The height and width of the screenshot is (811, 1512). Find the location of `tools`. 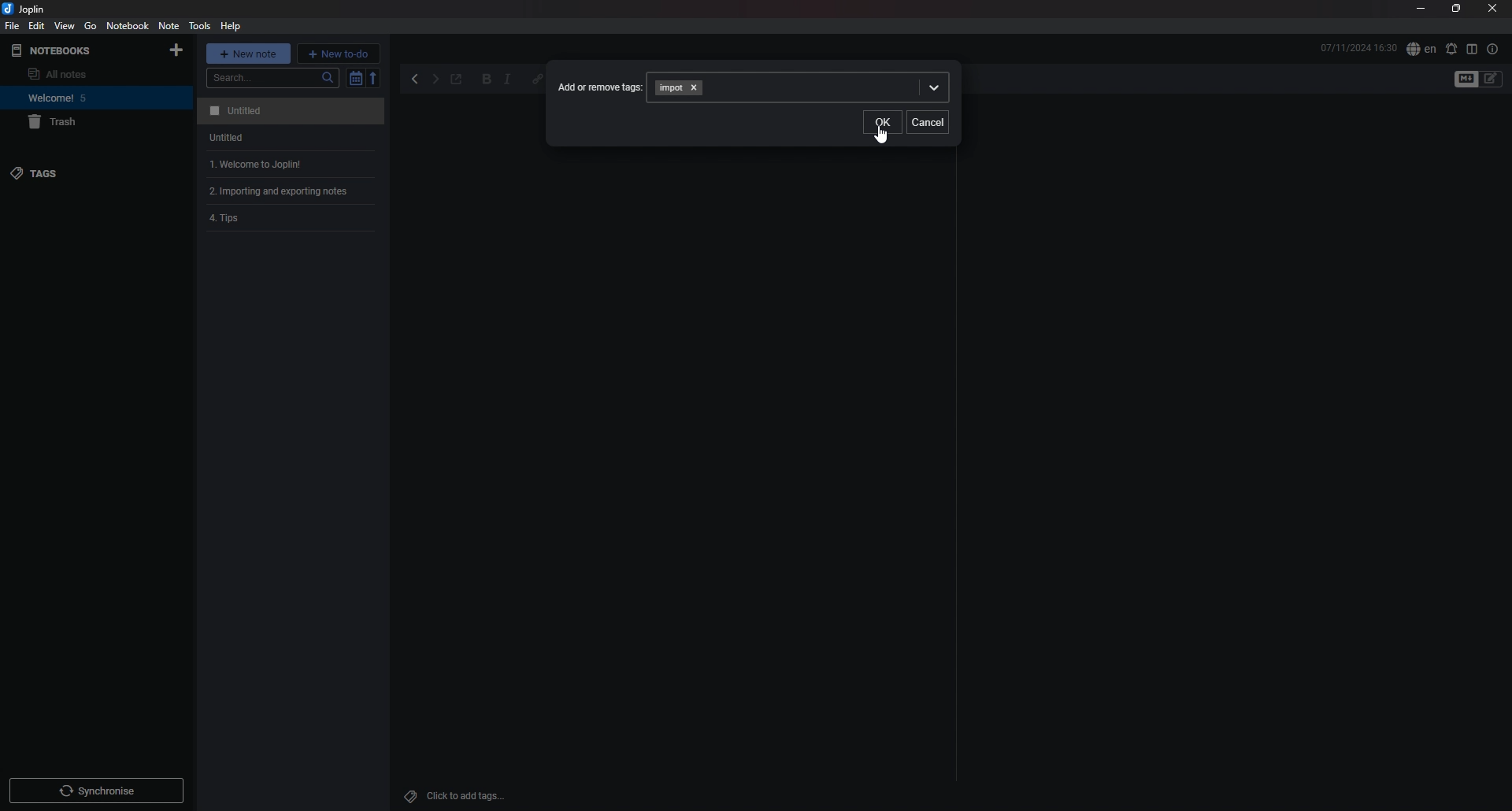

tools is located at coordinates (198, 26).